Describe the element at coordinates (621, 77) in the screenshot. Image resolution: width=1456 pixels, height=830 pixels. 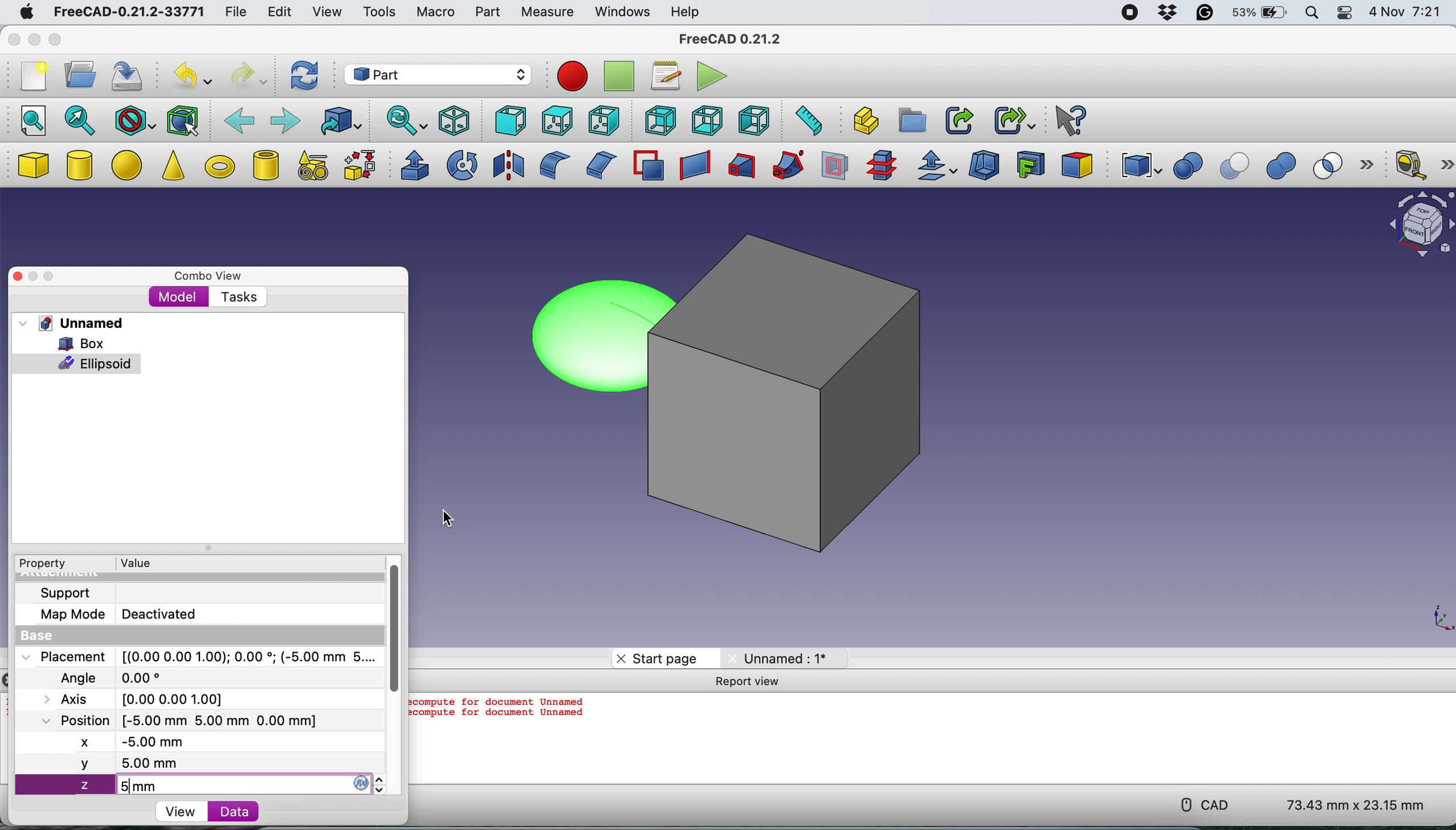
I see `stop recording macros` at that location.